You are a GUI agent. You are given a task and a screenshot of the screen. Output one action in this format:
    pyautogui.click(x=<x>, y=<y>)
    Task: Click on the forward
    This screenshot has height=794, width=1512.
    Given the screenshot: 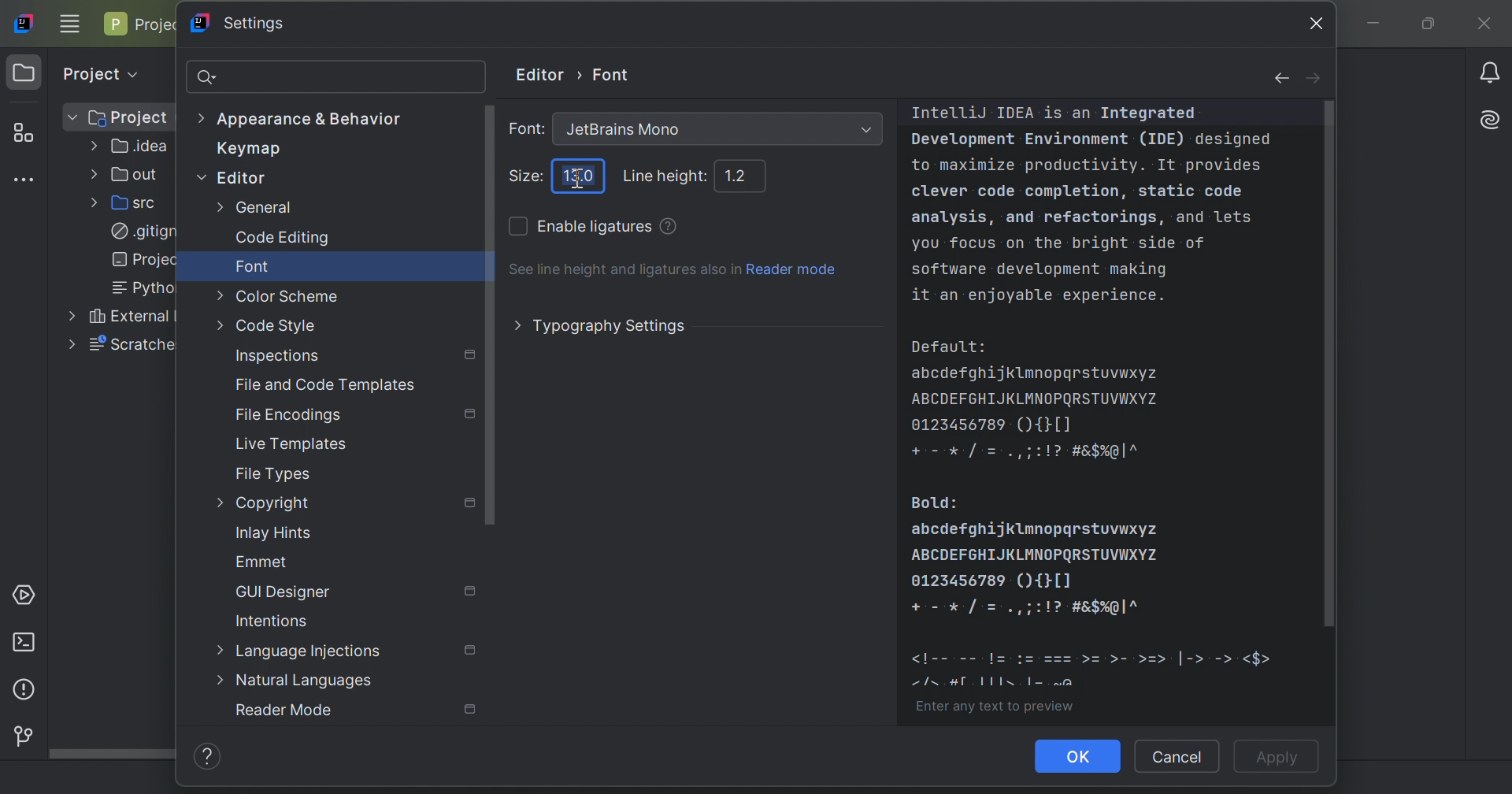 What is the action you would take?
    pyautogui.click(x=1314, y=80)
    